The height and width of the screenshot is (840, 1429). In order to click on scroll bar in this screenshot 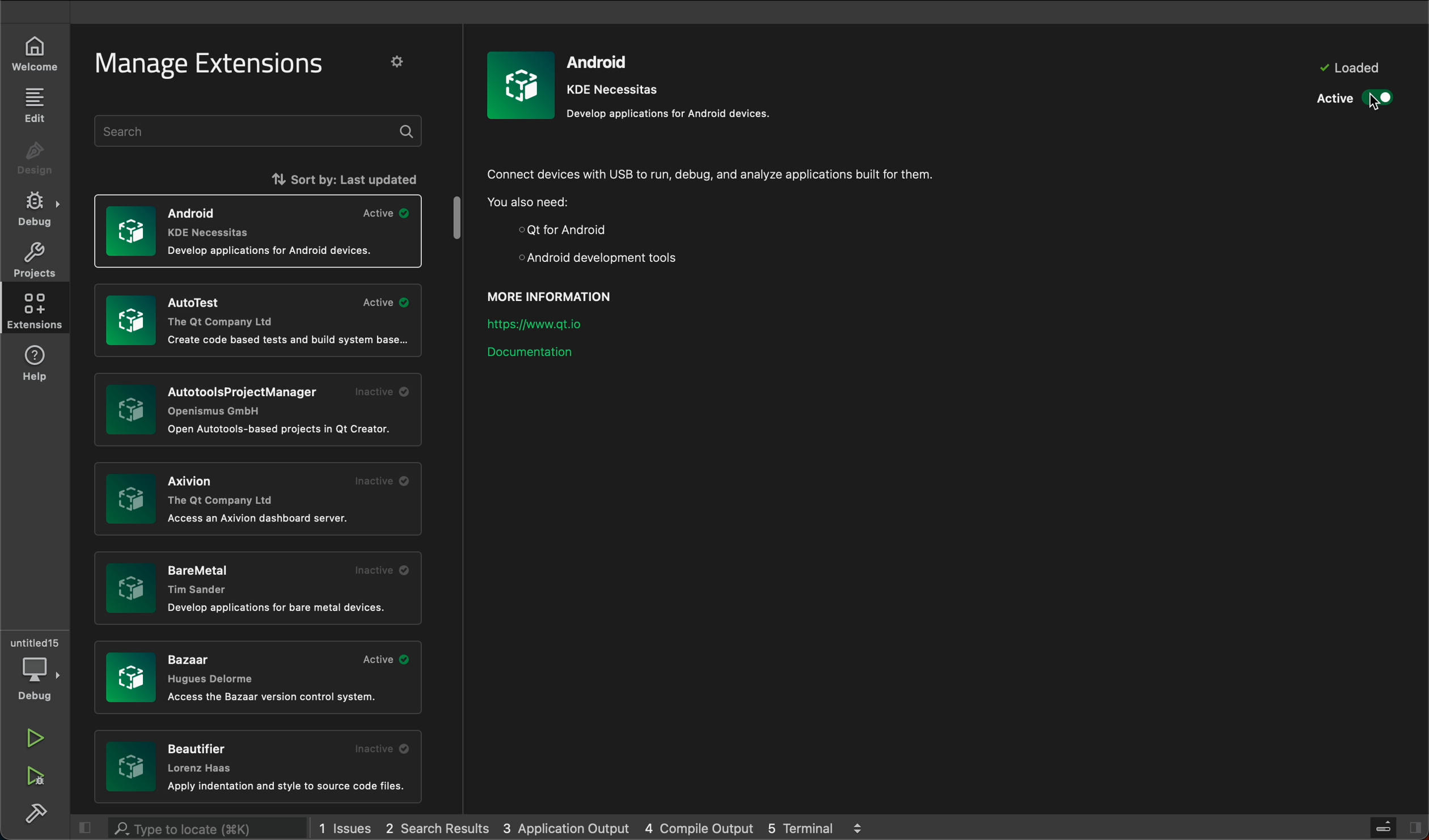, I will do `click(460, 219)`.